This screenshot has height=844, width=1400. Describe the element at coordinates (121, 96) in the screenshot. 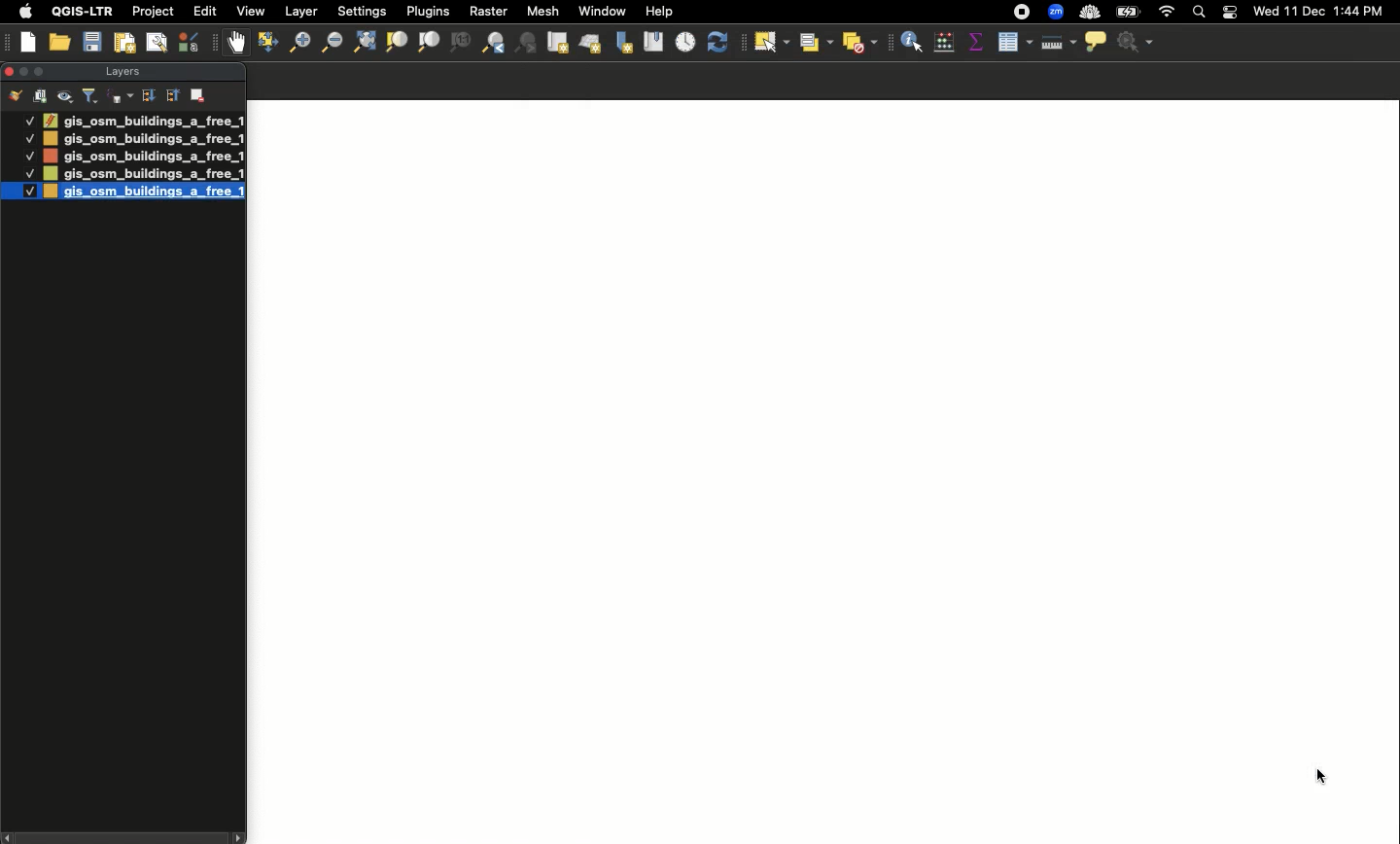

I see `Filter legend by expression` at that location.